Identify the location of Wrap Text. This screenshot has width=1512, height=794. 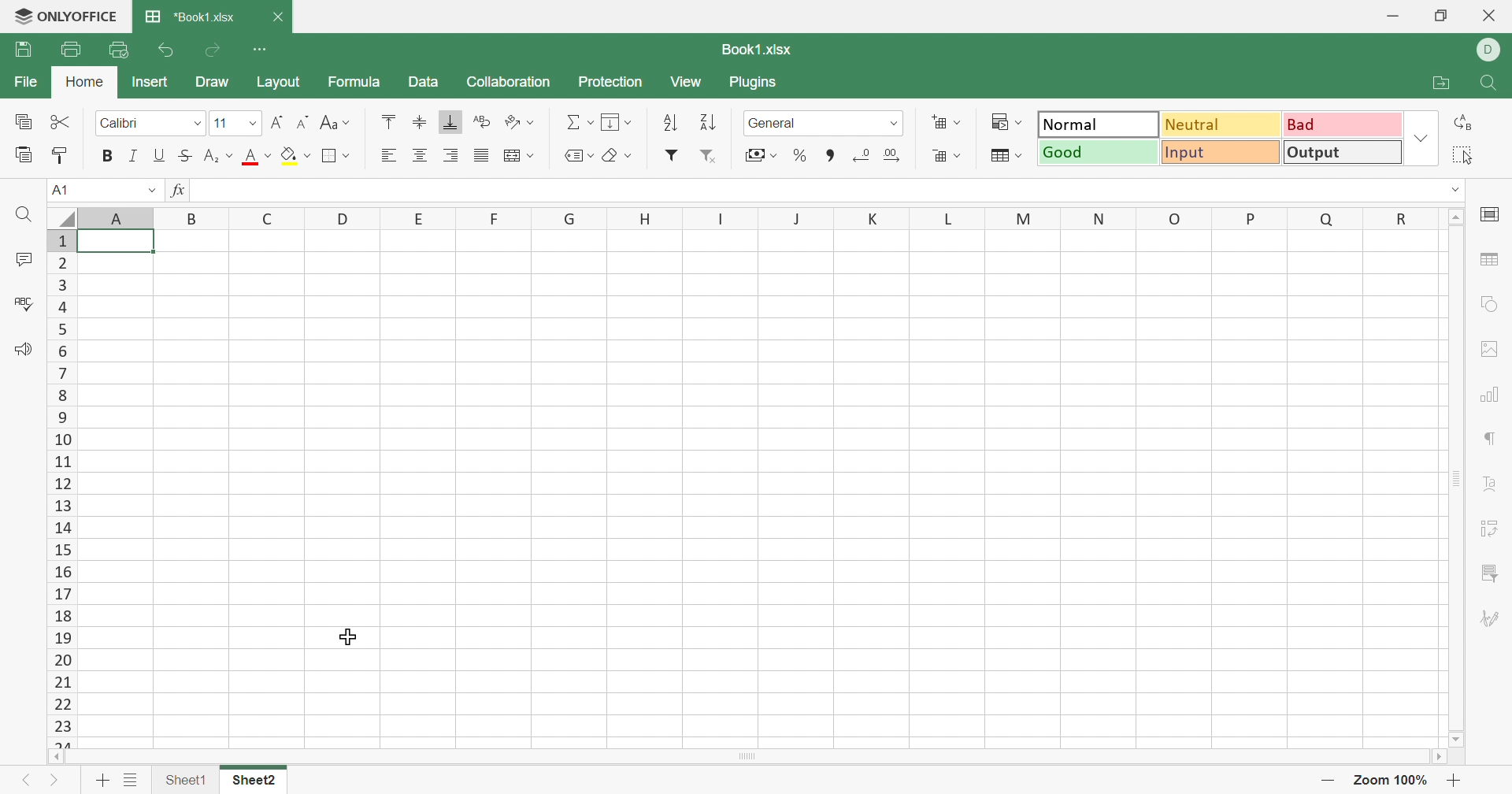
(480, 121).